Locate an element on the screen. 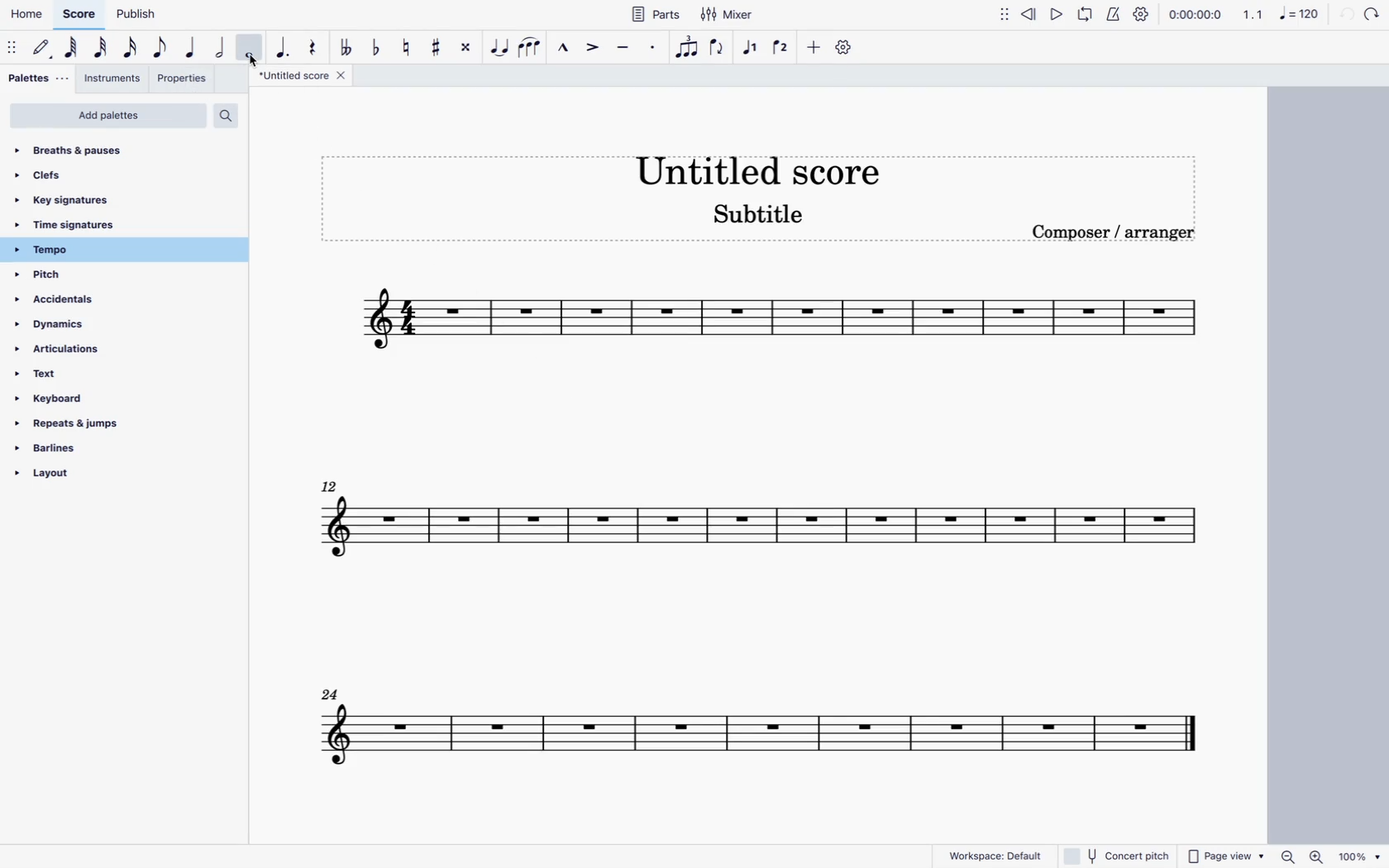 The height and width of the screenshot is (868, 1389). tempo is located at coordinates (118, 250).